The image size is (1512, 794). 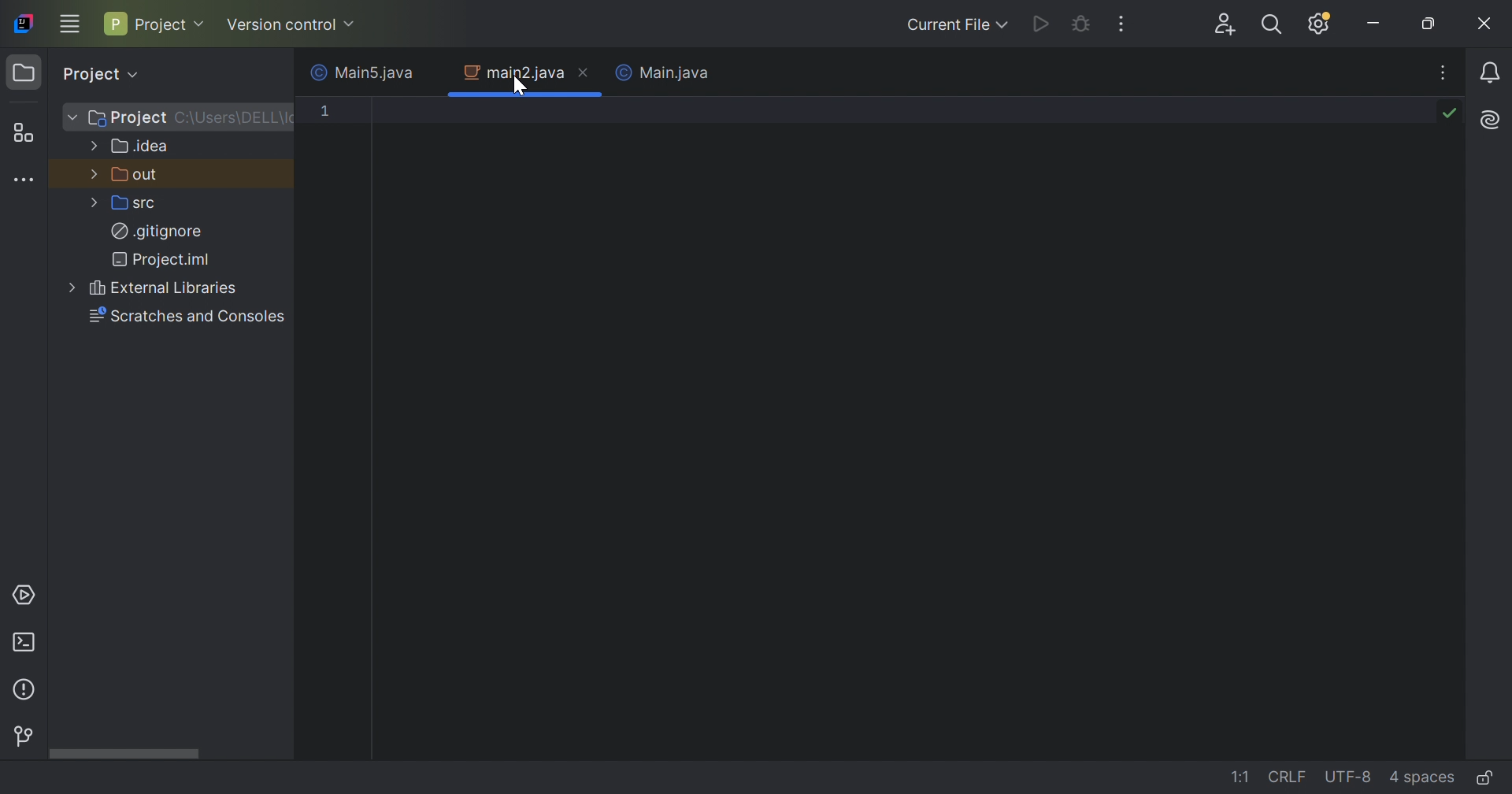 What do you see at coordinates (1491, 72) in the screenshot?
I see `Notifications` at bounding box center [1491, 72].